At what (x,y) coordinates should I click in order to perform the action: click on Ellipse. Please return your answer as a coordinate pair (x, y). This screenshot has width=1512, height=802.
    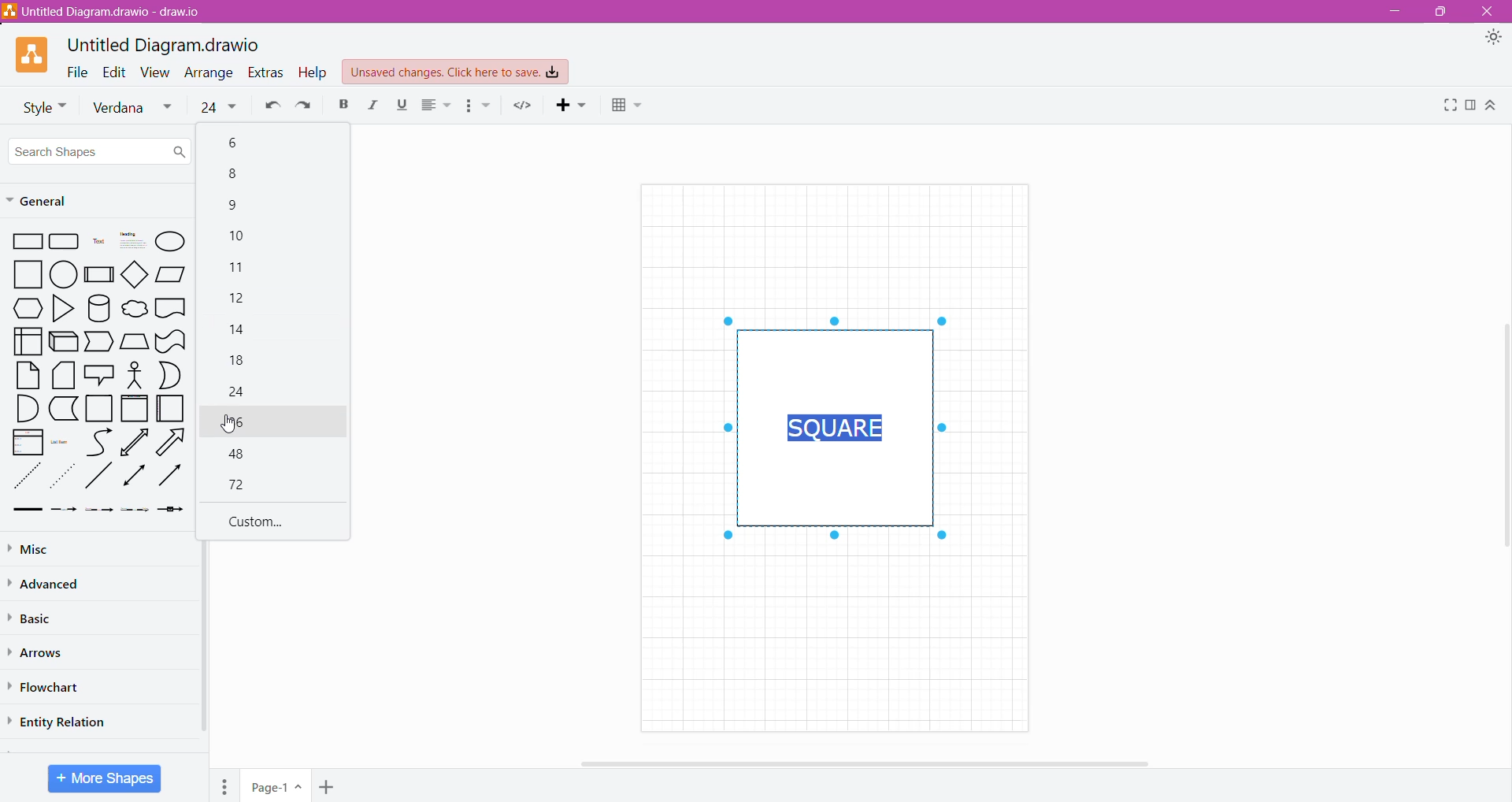
    Looking at the image, I should click on (172, 242).